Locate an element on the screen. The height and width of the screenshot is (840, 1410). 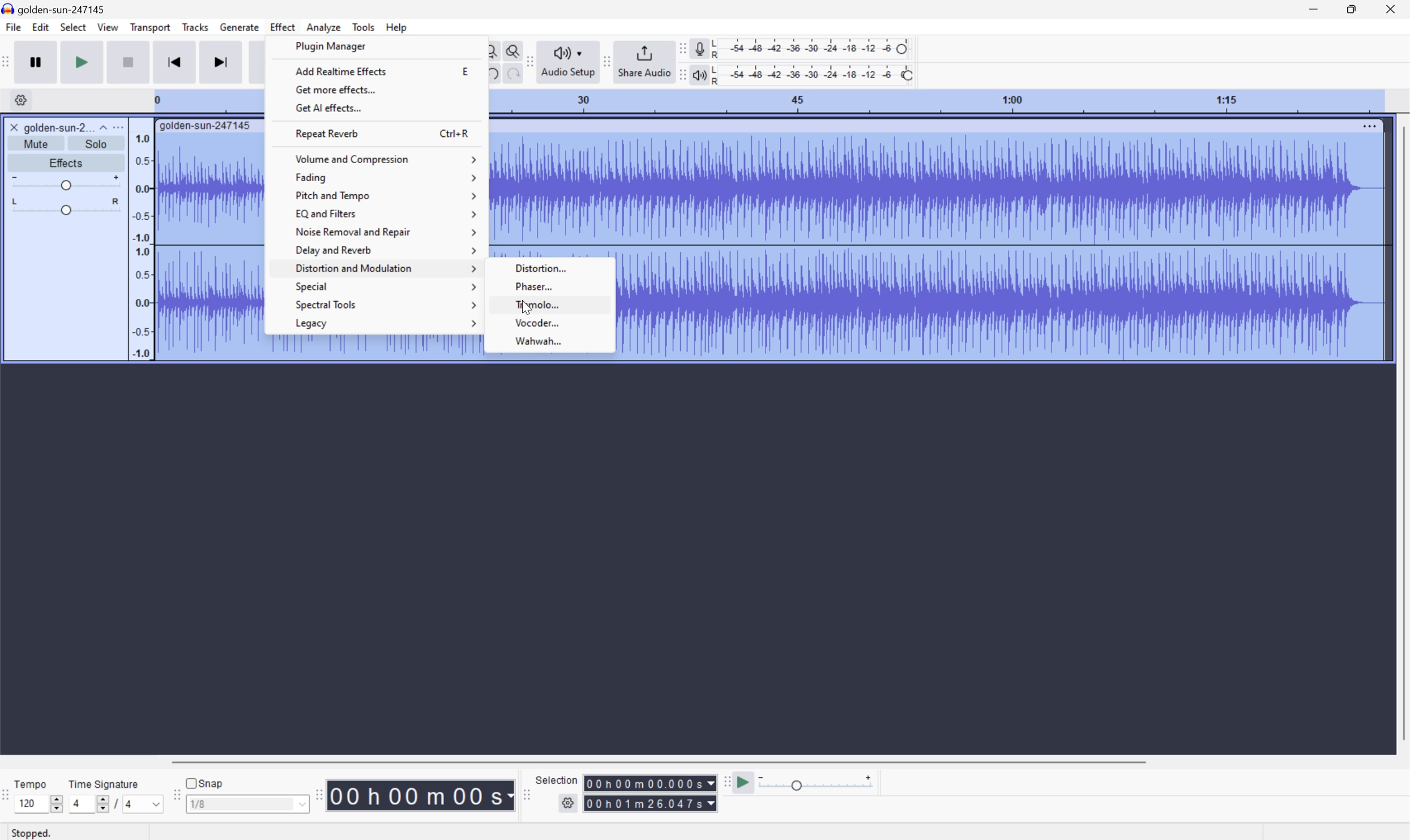
Selection is located at coordinates (649, 783).